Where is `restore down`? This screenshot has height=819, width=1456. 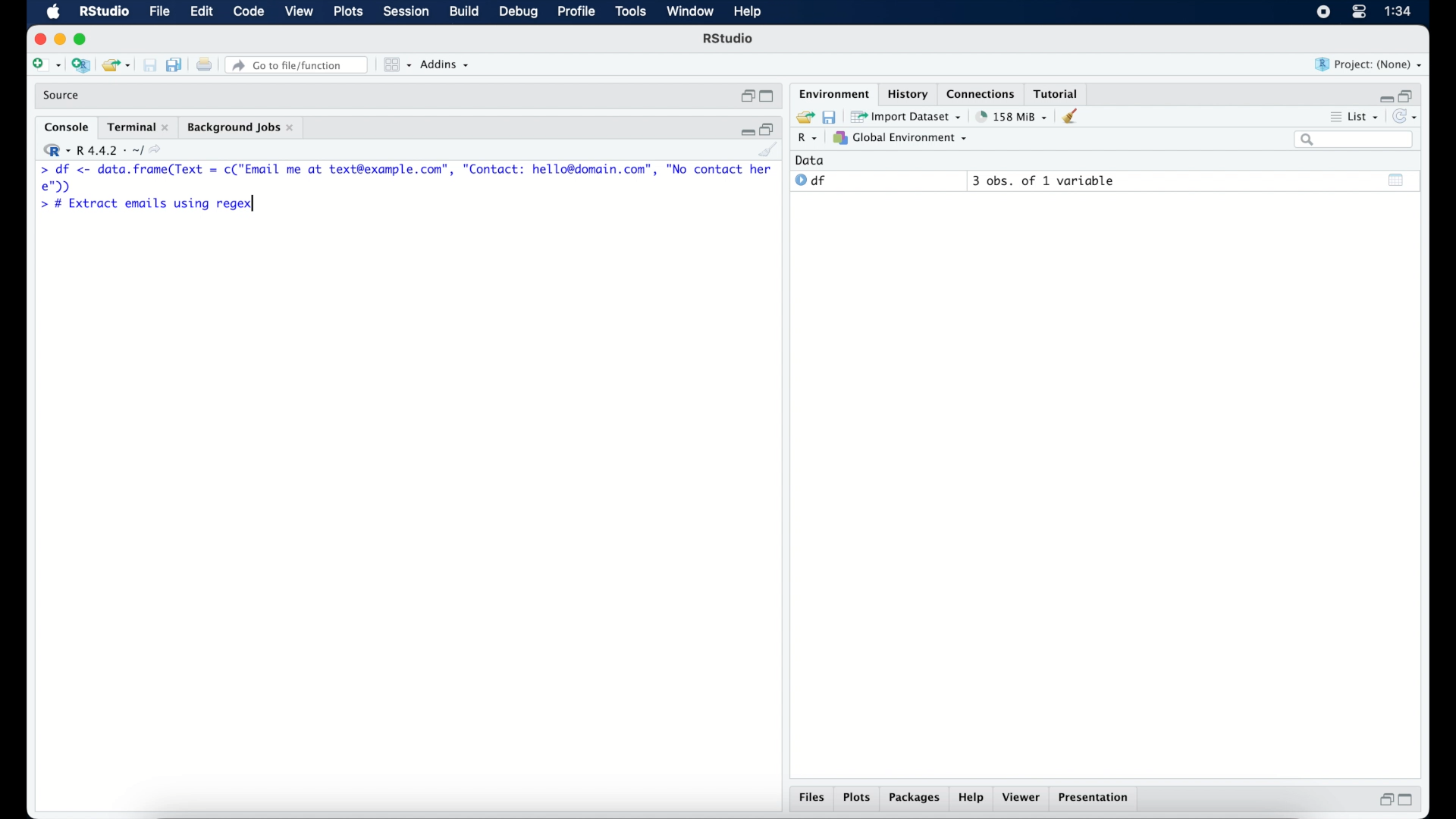 restore down is located at coordinates (745, 96).